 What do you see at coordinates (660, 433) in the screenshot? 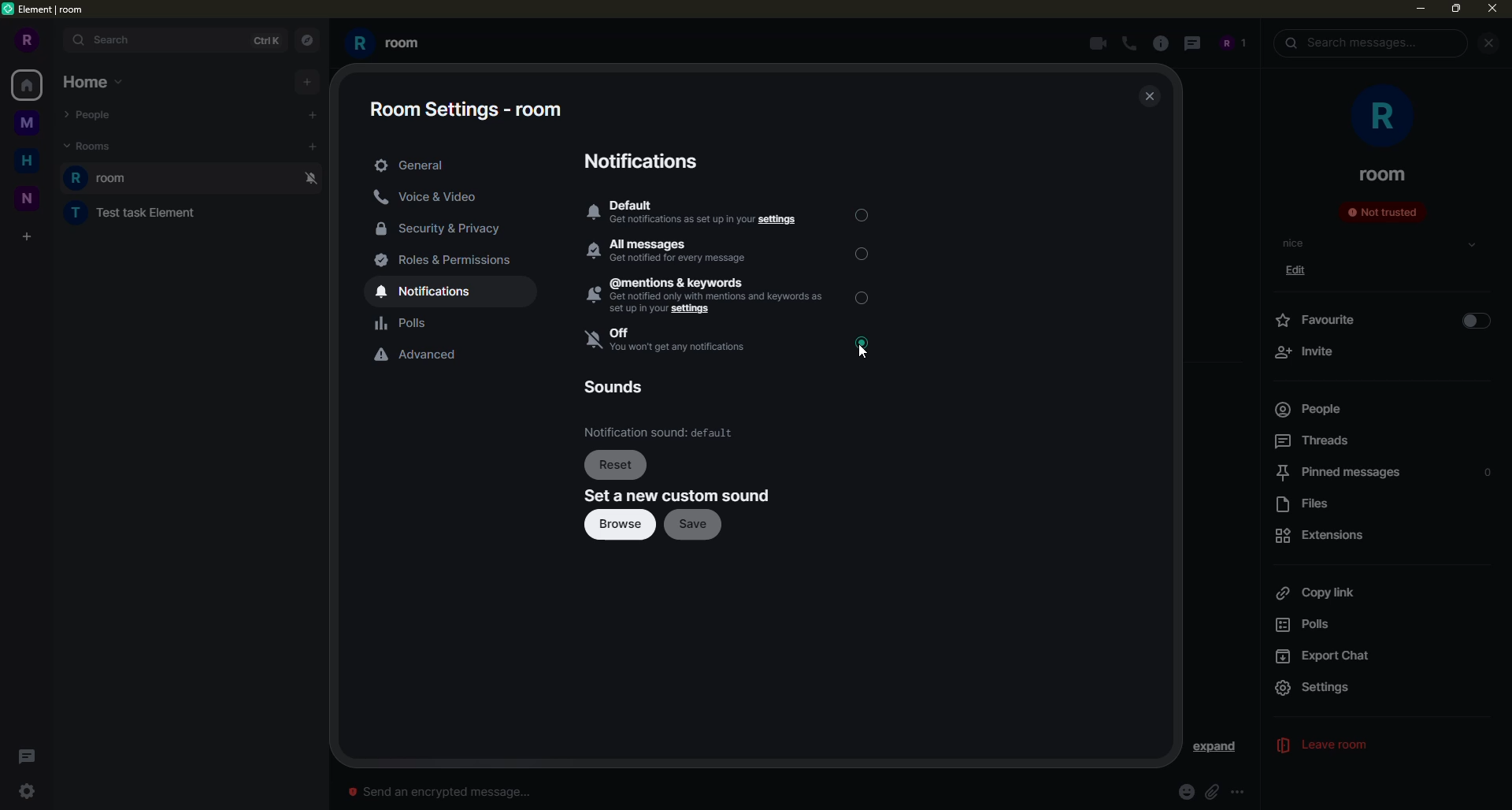
I see `default` at bounding box center [660, 433].